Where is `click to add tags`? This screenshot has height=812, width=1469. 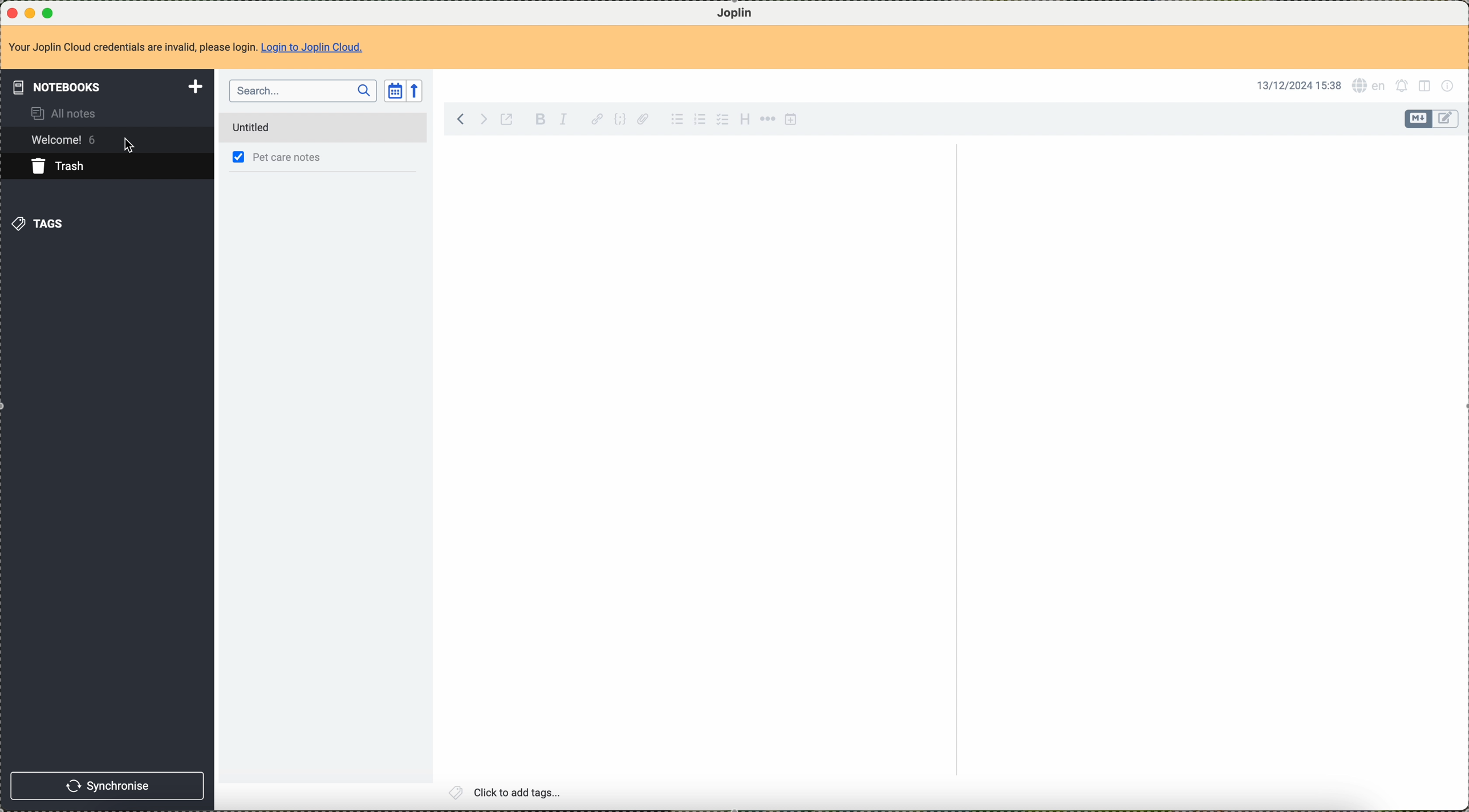 click to add tags is located at coordinates (507, 793).